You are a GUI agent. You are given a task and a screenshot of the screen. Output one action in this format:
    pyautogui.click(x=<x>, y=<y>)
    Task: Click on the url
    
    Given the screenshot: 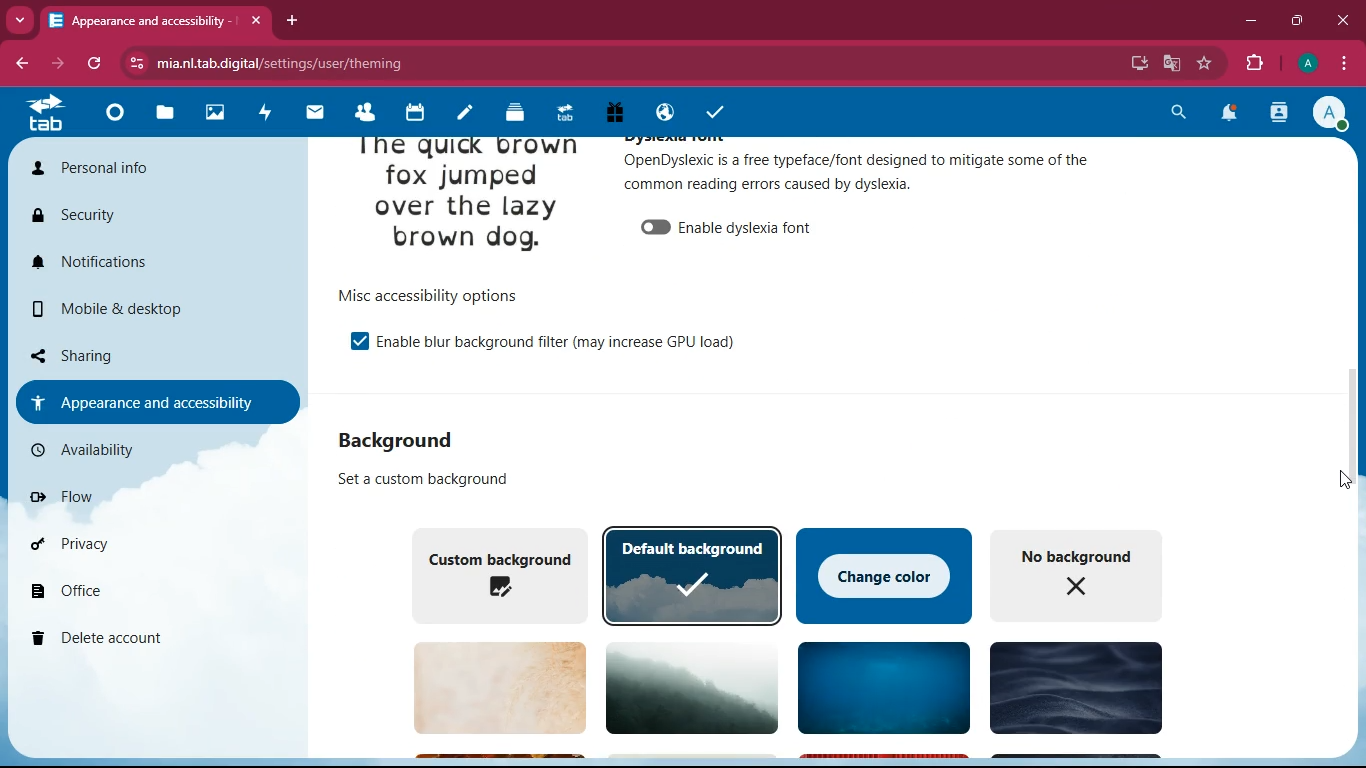 What is the action you would take?
    pyautogui.click(x=283, y=64)
    